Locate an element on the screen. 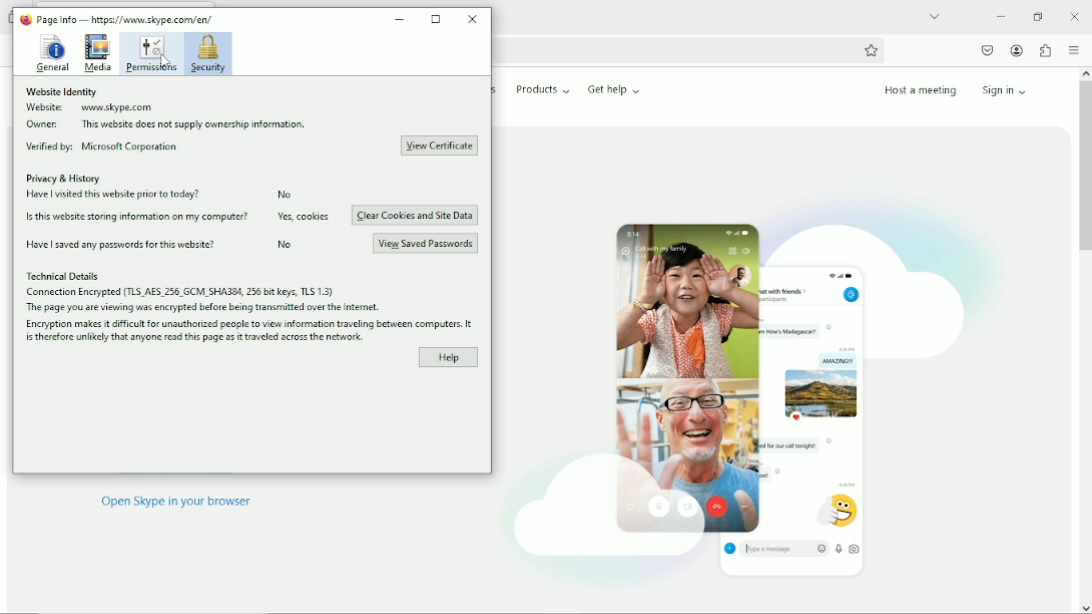 The width and height of the screenshot is (1092, 614). Get help is located at coordinates (614, 89).